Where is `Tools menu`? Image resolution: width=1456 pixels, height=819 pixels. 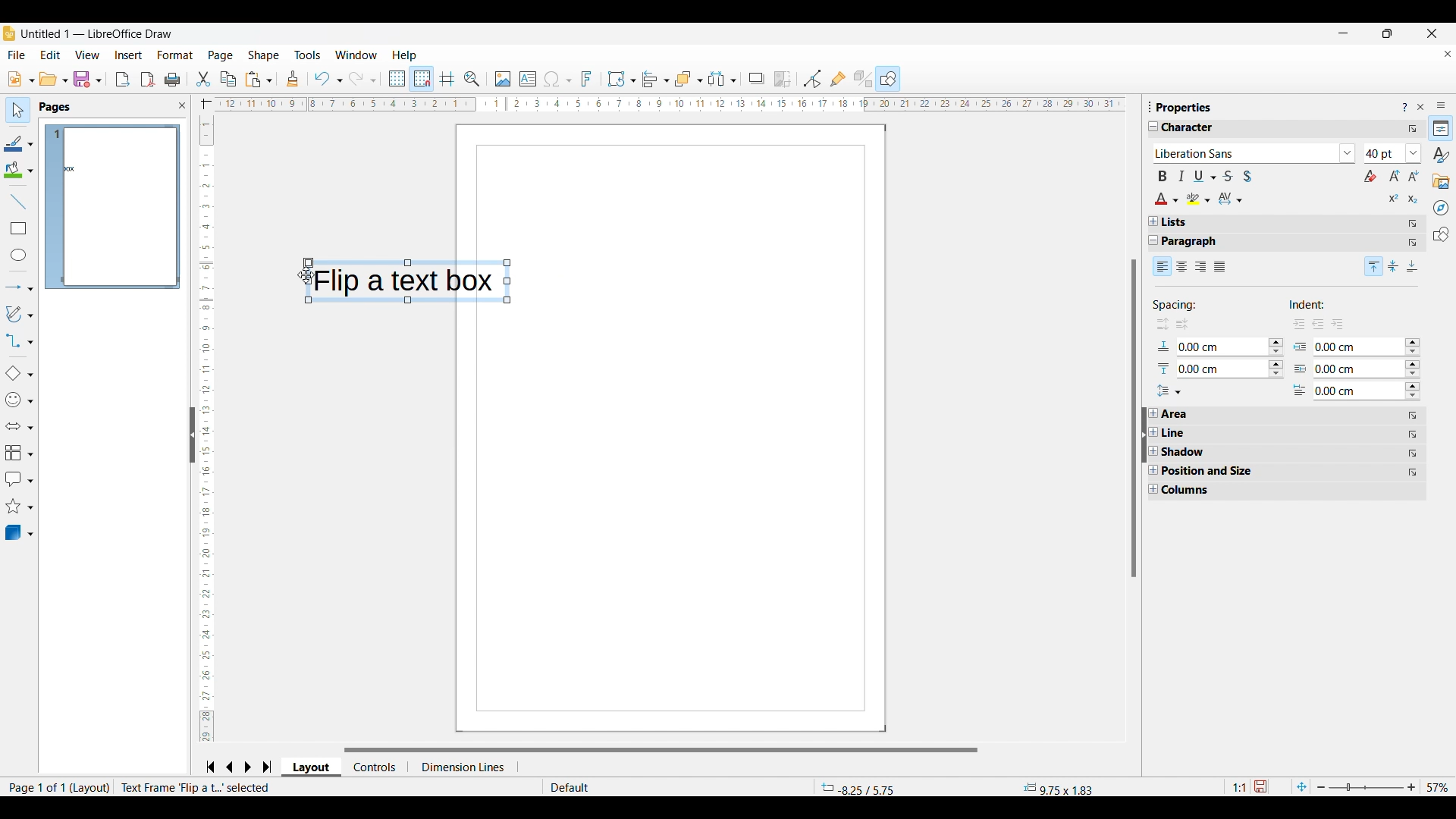
Tools menu is located at coordinates (308, 55).